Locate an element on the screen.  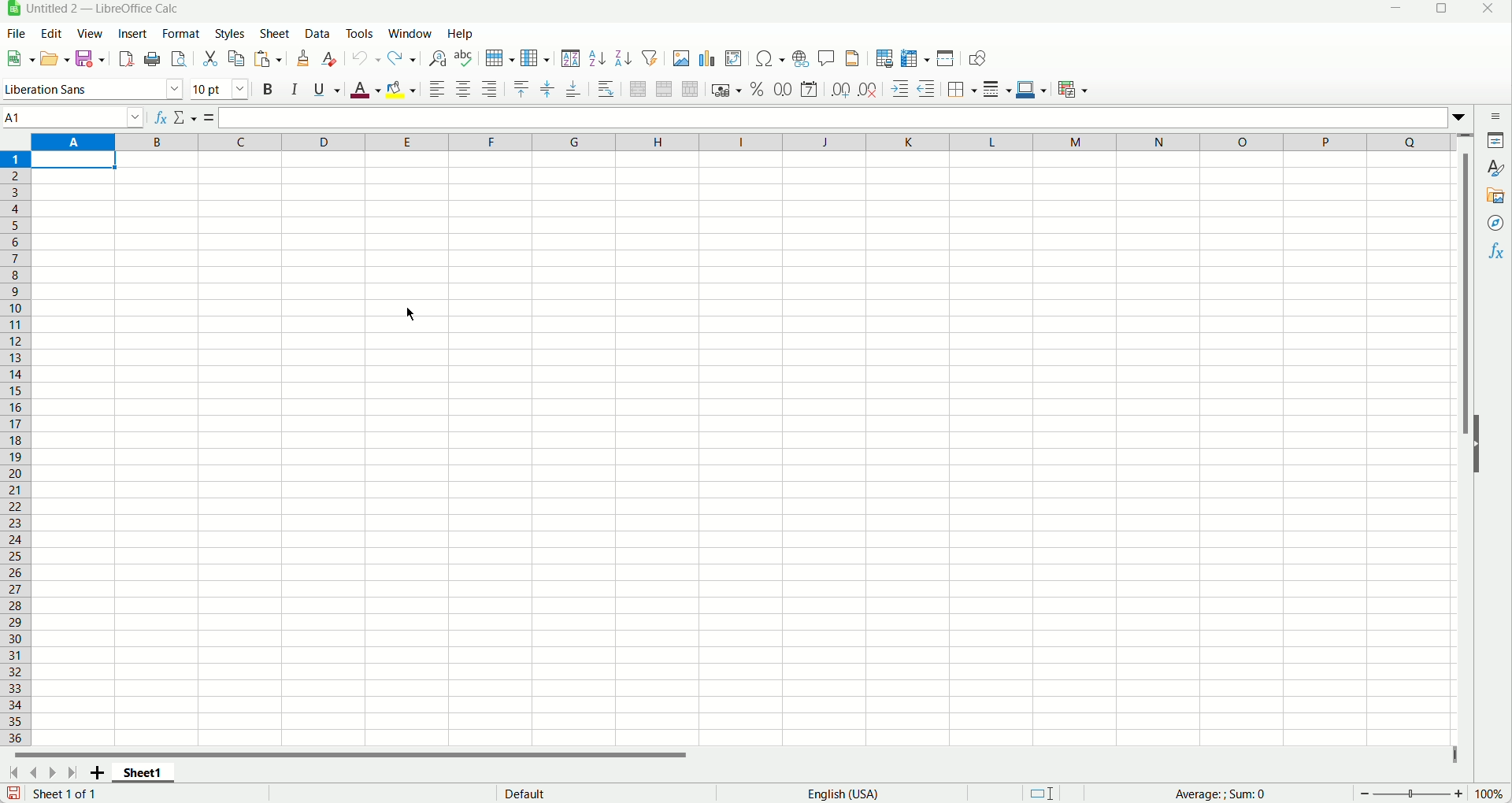
Vertical scroll bar is located at coordinates (1463, 440).